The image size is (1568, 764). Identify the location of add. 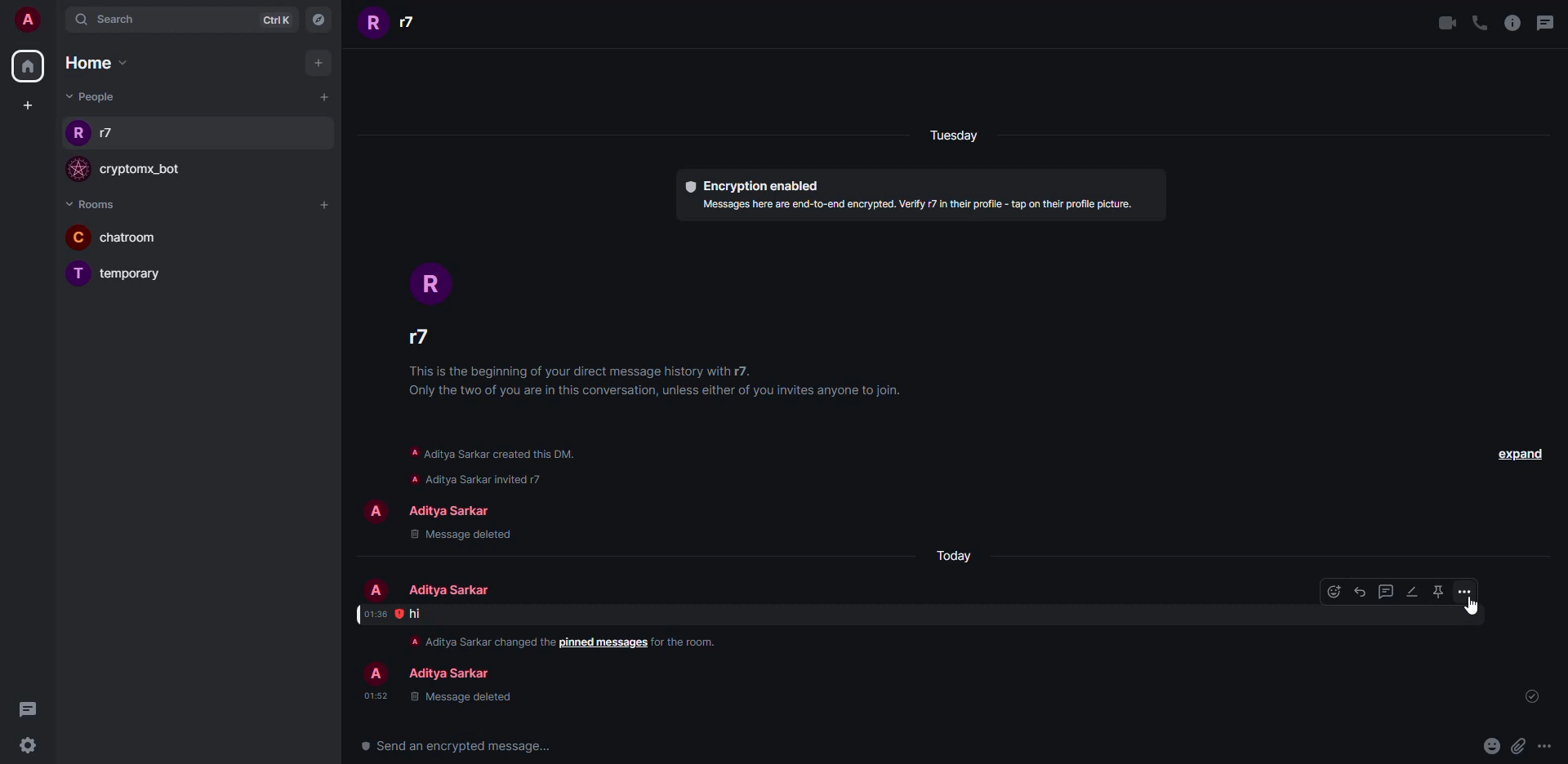
(318, 60).